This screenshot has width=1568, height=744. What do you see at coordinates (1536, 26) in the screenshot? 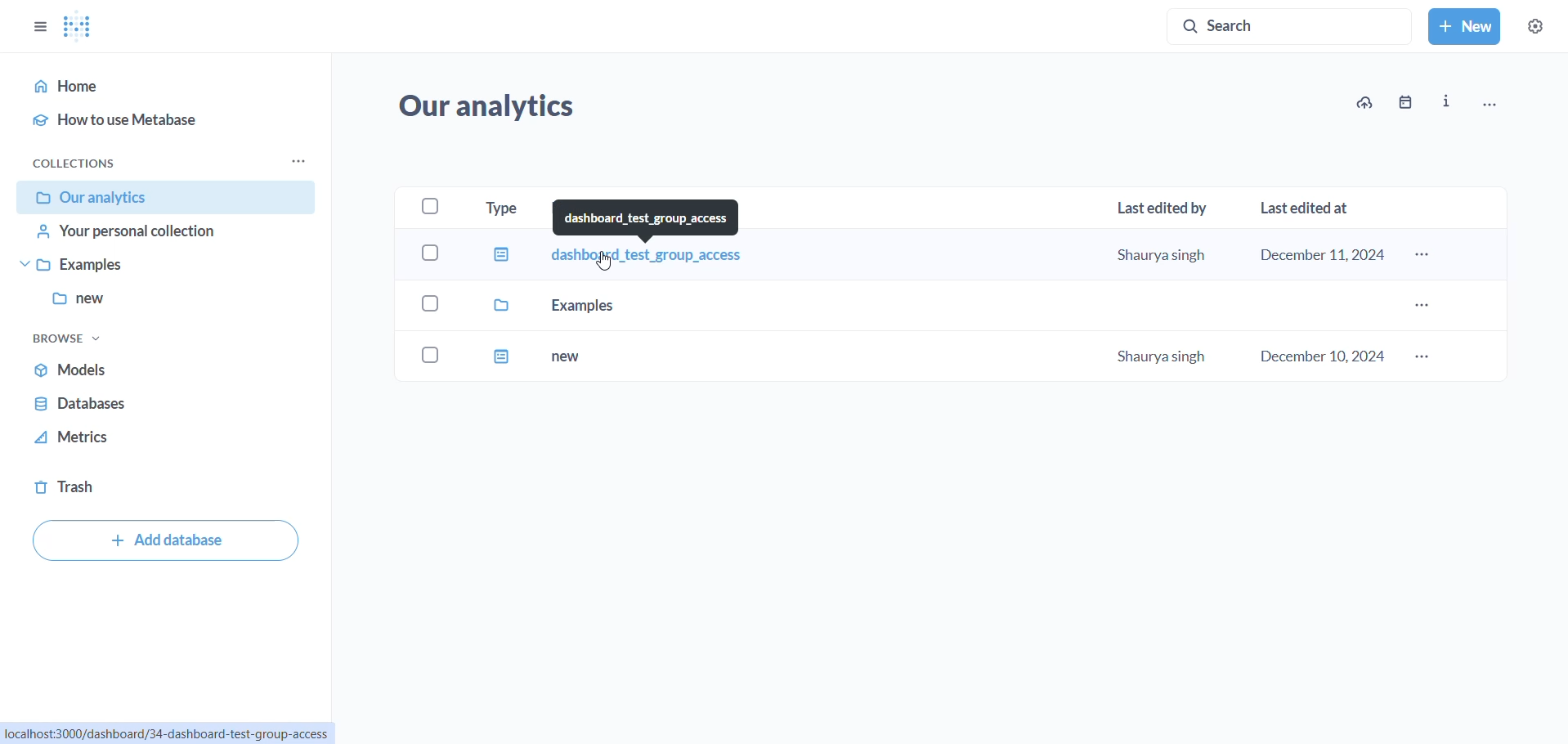
I see `settings` at bounding box center [1536, 26].